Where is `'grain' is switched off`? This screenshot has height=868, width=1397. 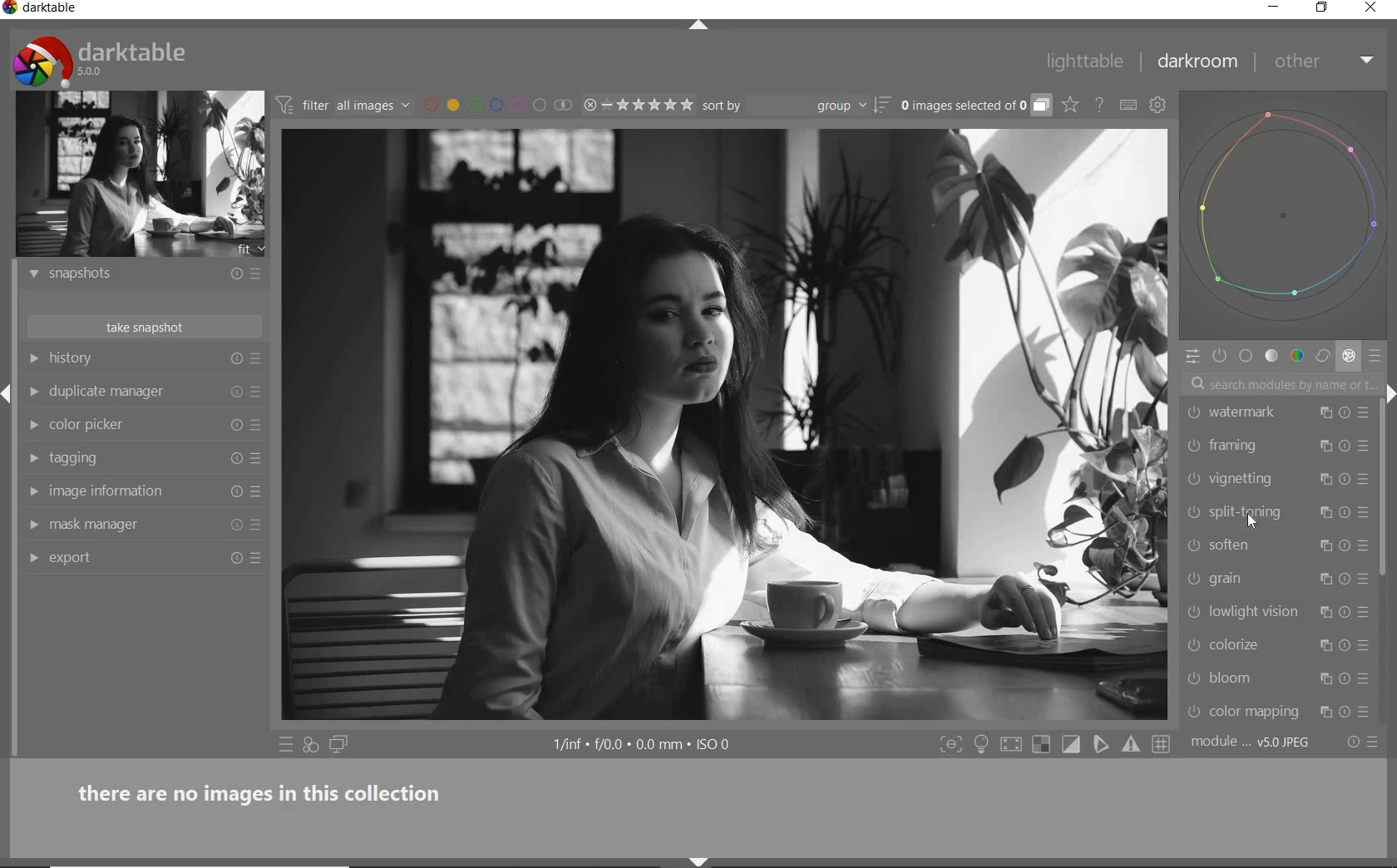 'grain' is switched off is located at coordinates (1193, 578).